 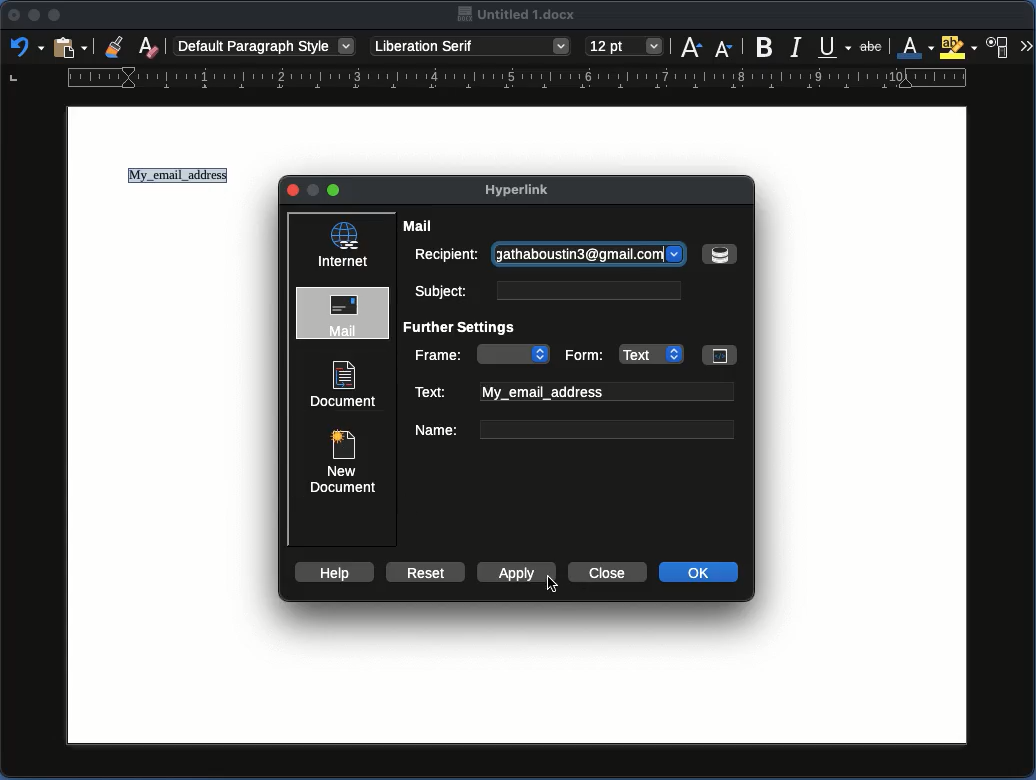 I want to click on mailto:agathaboustin3@g, so click(x=589, y=251).